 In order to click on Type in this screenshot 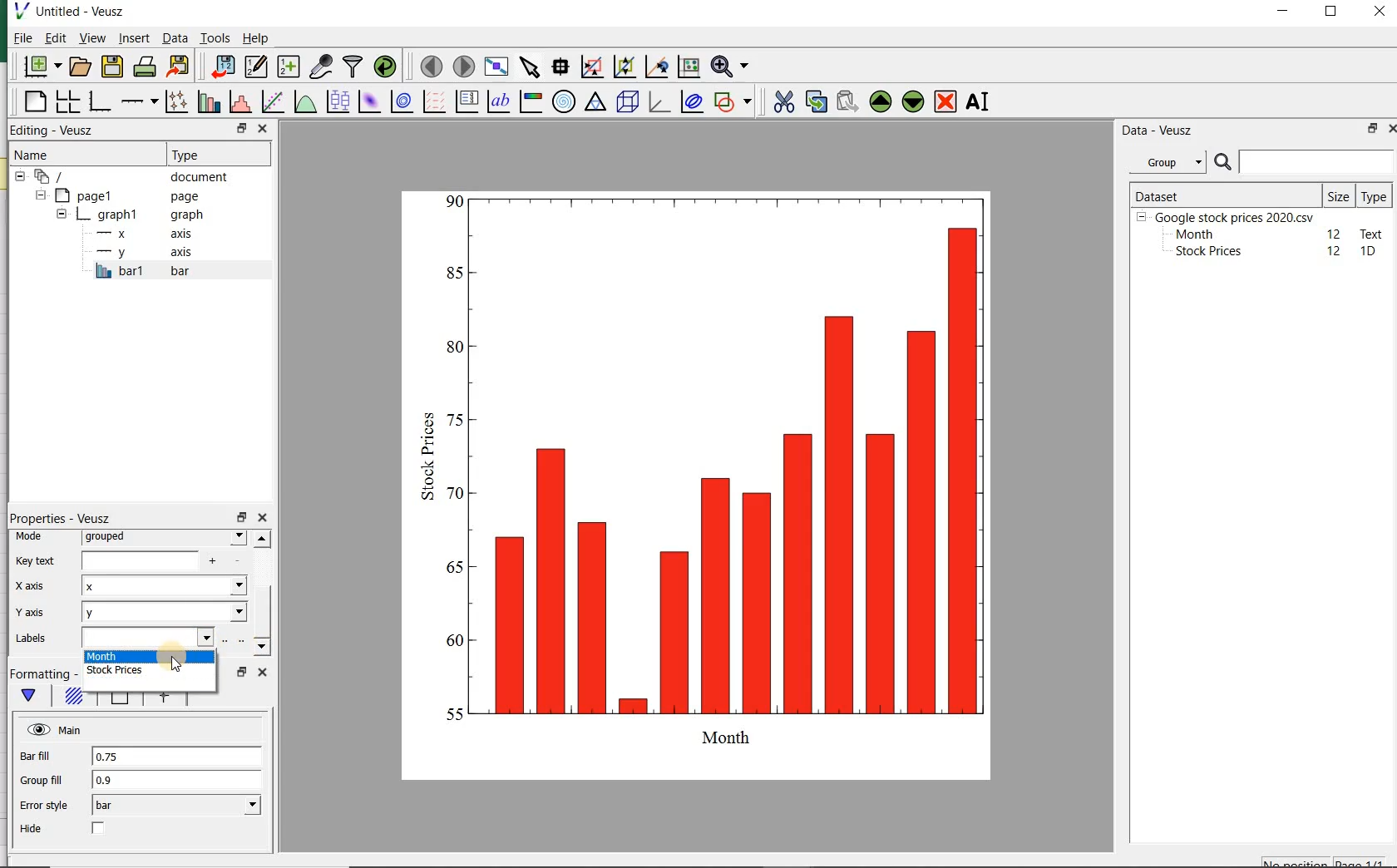, I will do `click(1374, 195)`.